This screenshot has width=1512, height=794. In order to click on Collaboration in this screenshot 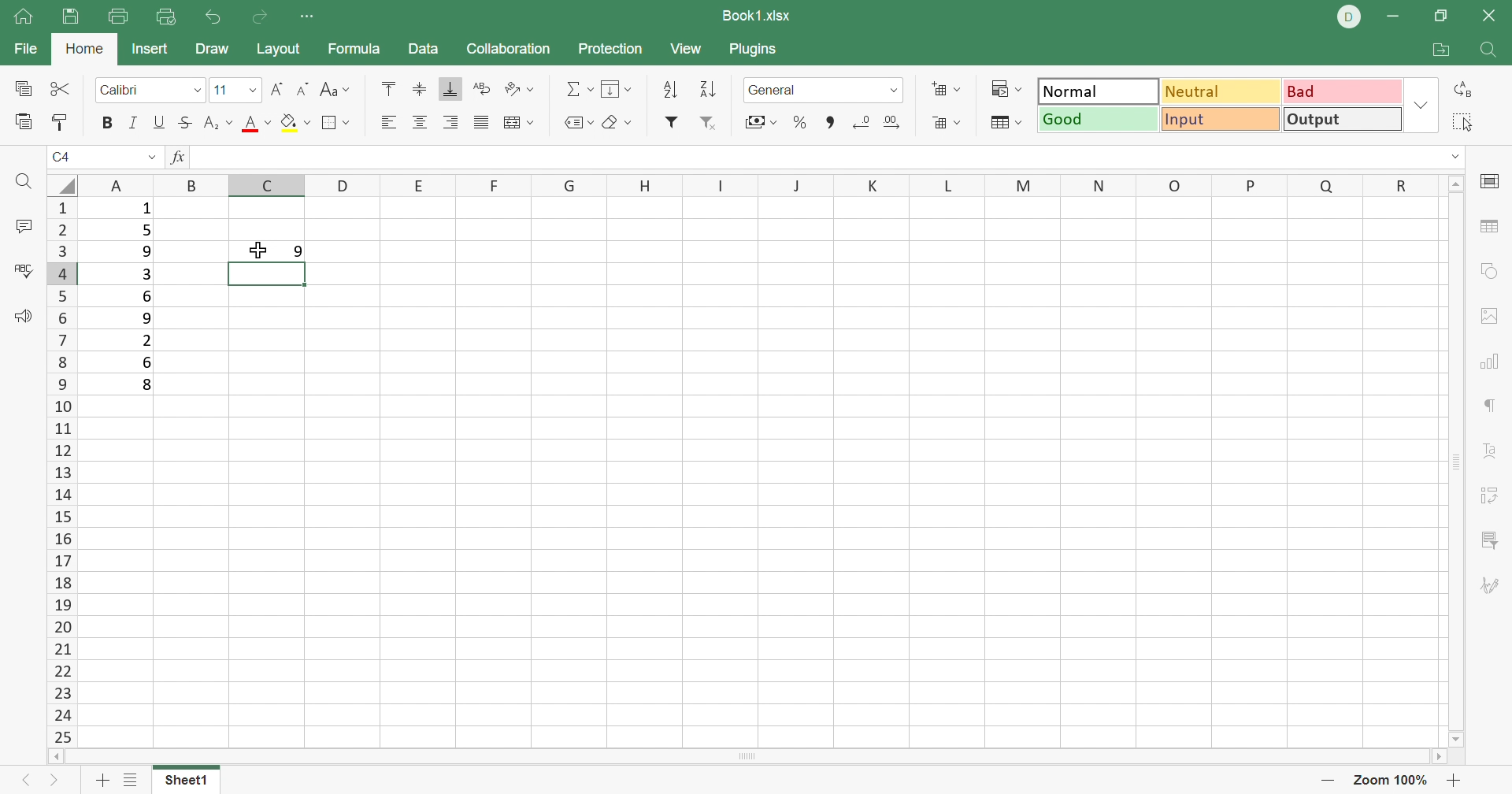, I will do `click(511, 50)`.